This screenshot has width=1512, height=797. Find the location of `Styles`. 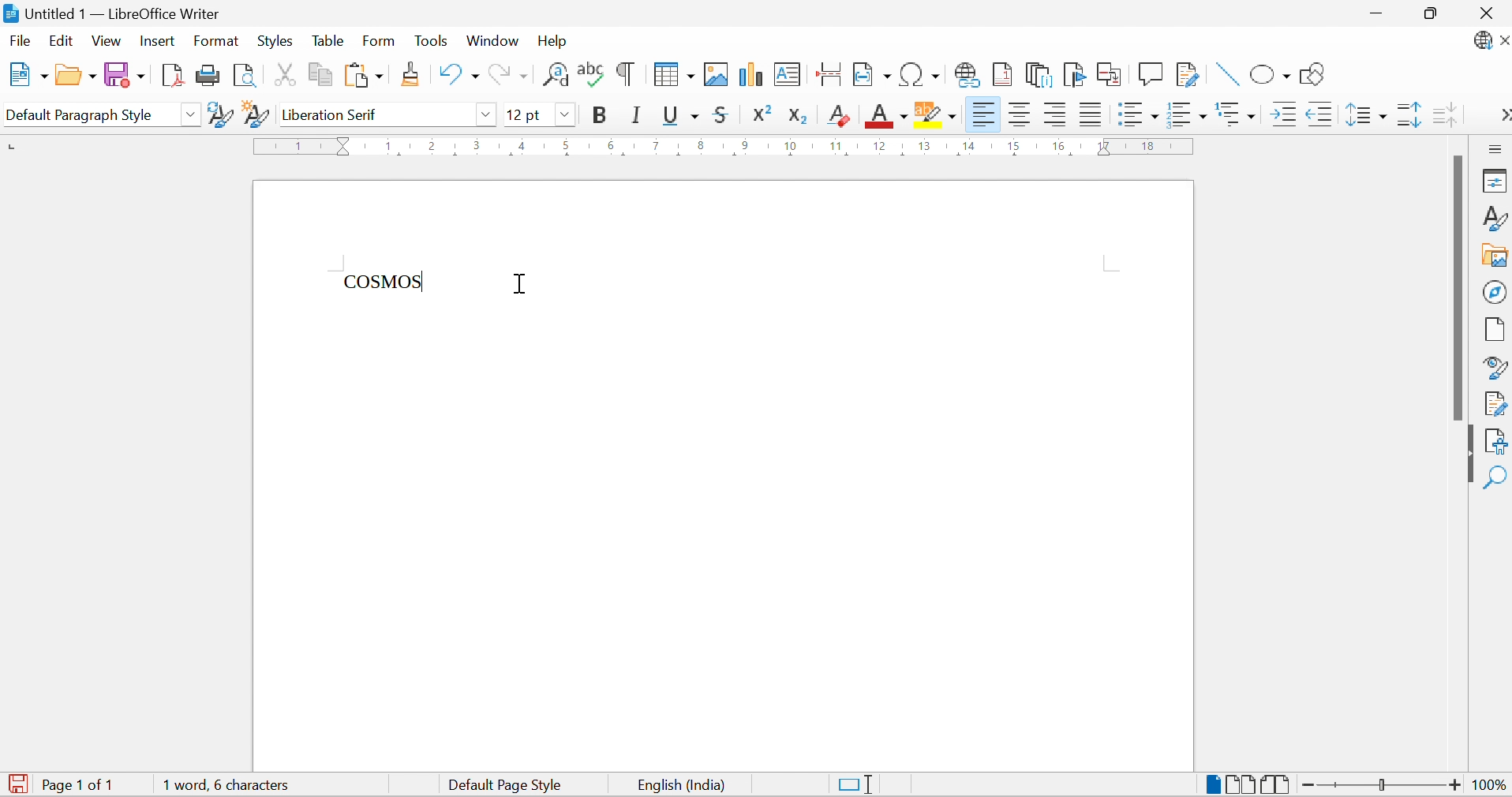

Styles is located at coordinates (274, 40).